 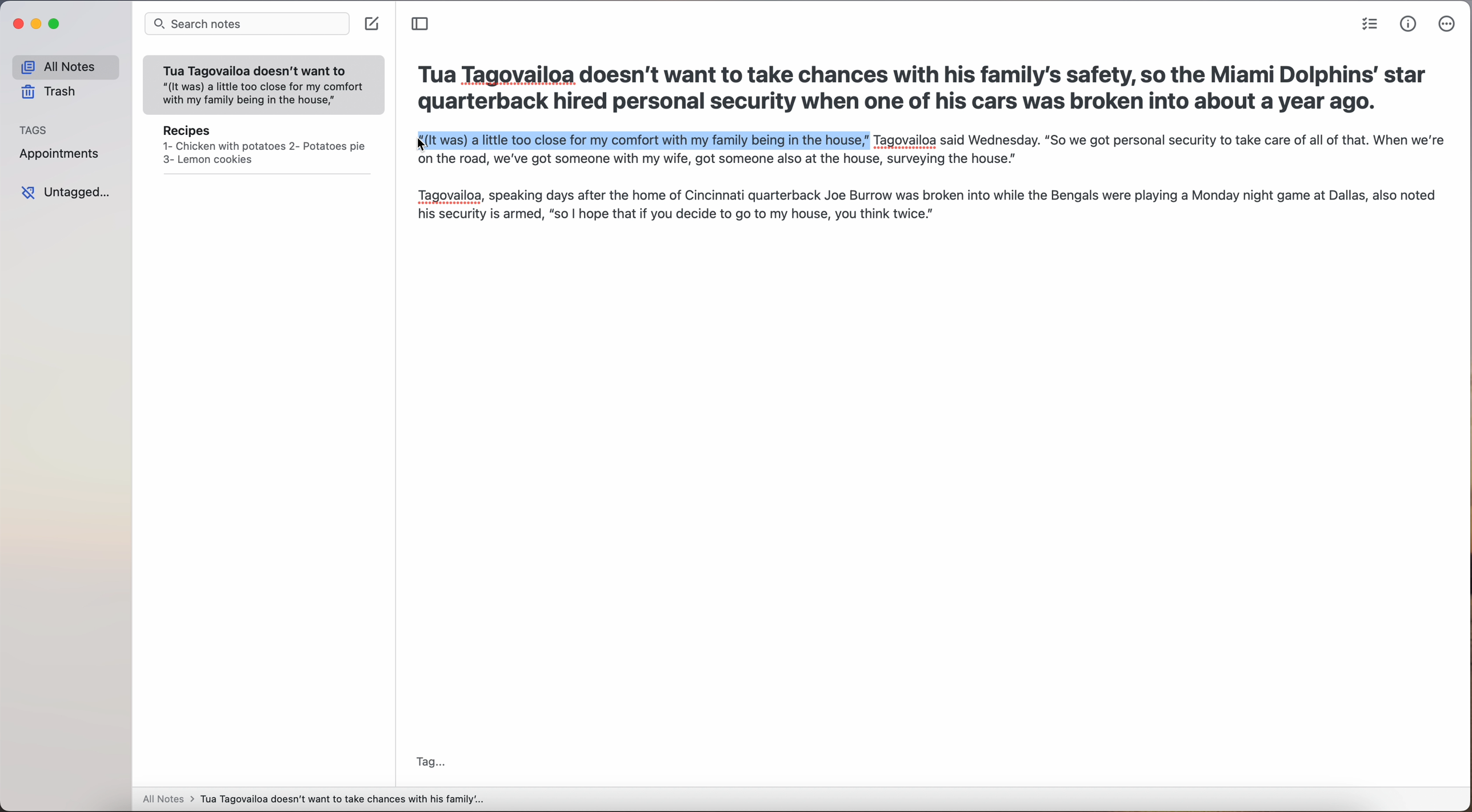 What do you see at coordinates (54, 23) in the screenshot?
I see `maximize Simplenote` at bounding box center [54, 23].